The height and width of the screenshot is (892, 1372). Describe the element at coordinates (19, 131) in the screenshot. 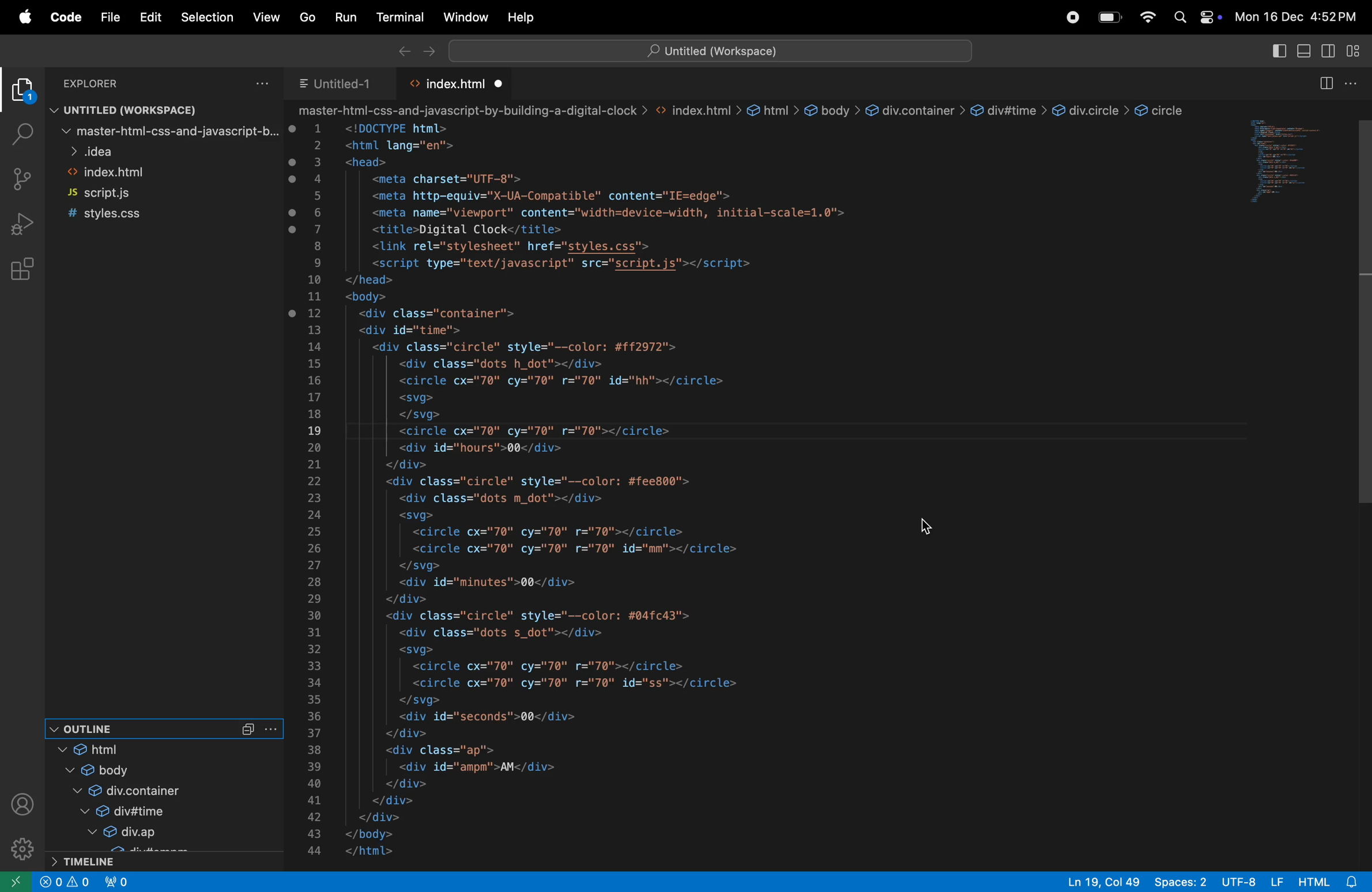

I see `search` at that location.